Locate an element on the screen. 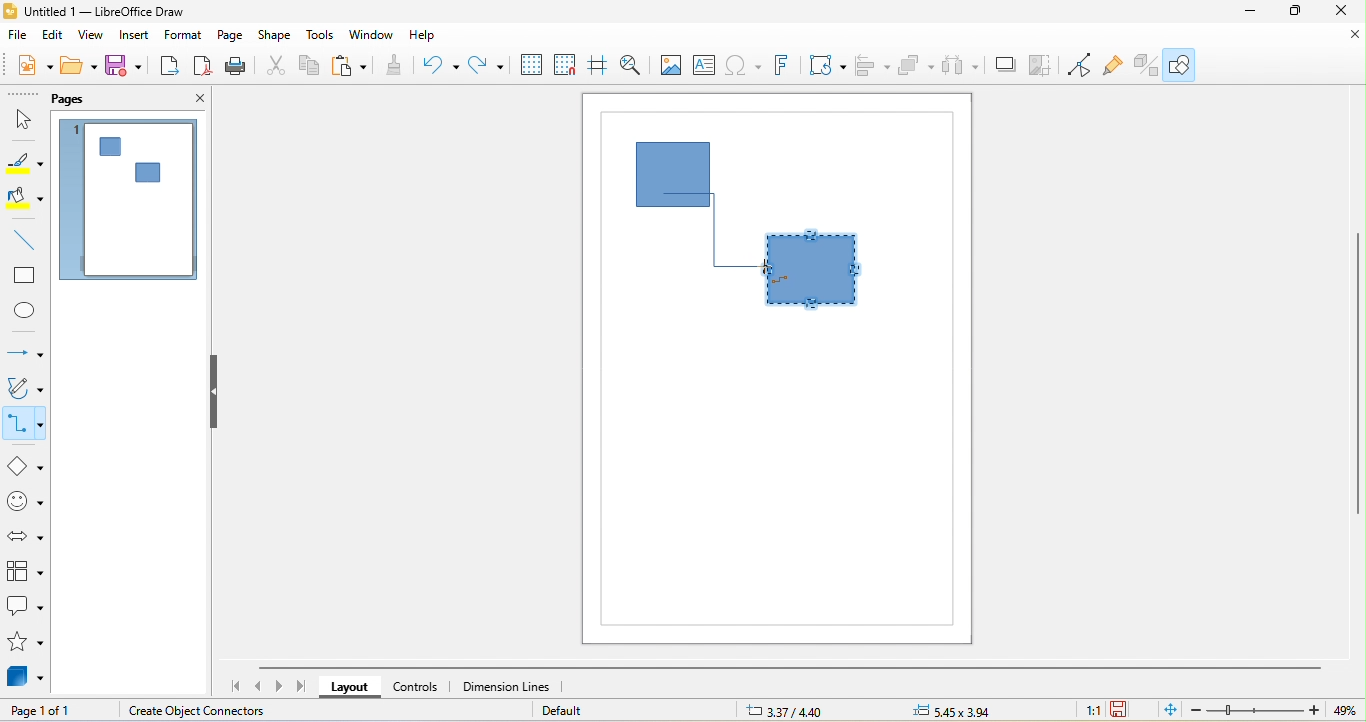  controls is located at coordinates (417, 689).